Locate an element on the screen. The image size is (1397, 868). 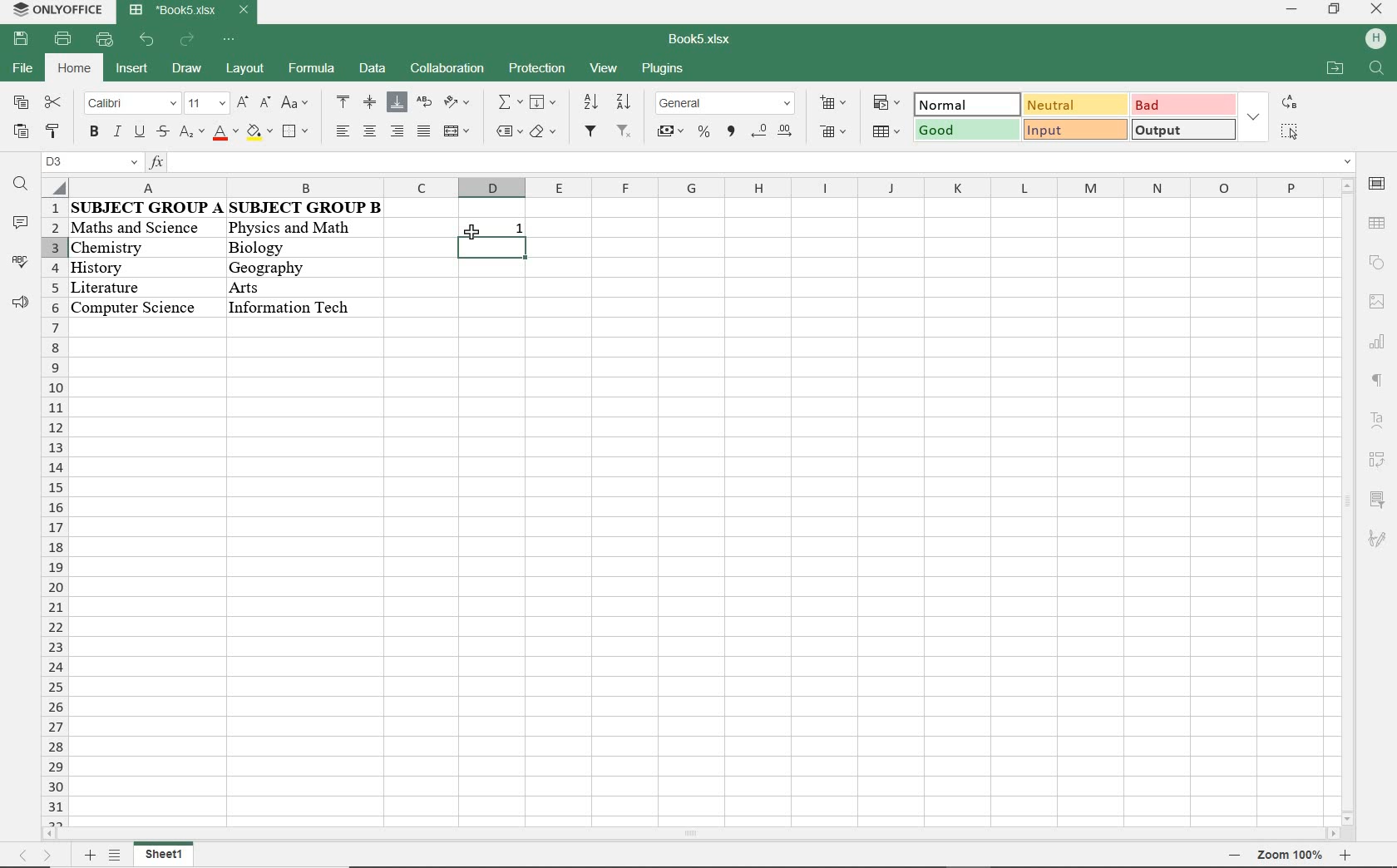
font size is located at coordinates (204, 104).